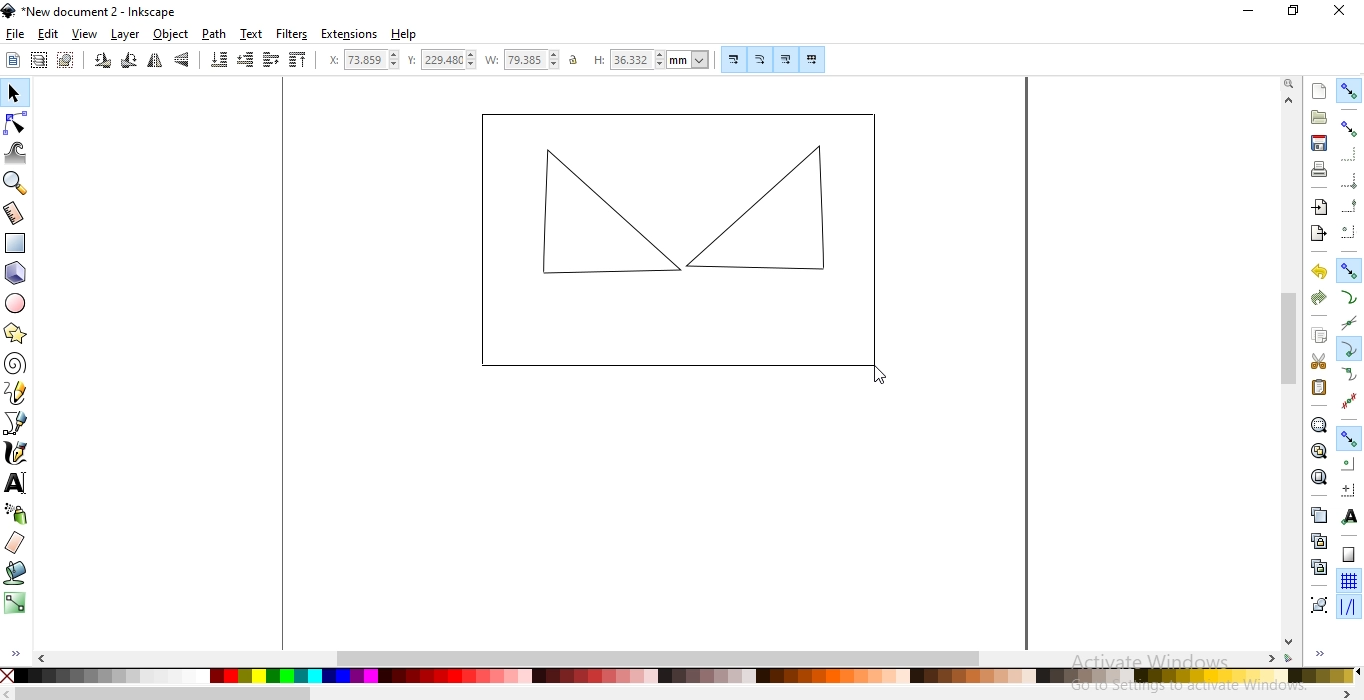  Describe the element at coordinates (15, 212) in the screenshot. I see `measurement tool` at that location.